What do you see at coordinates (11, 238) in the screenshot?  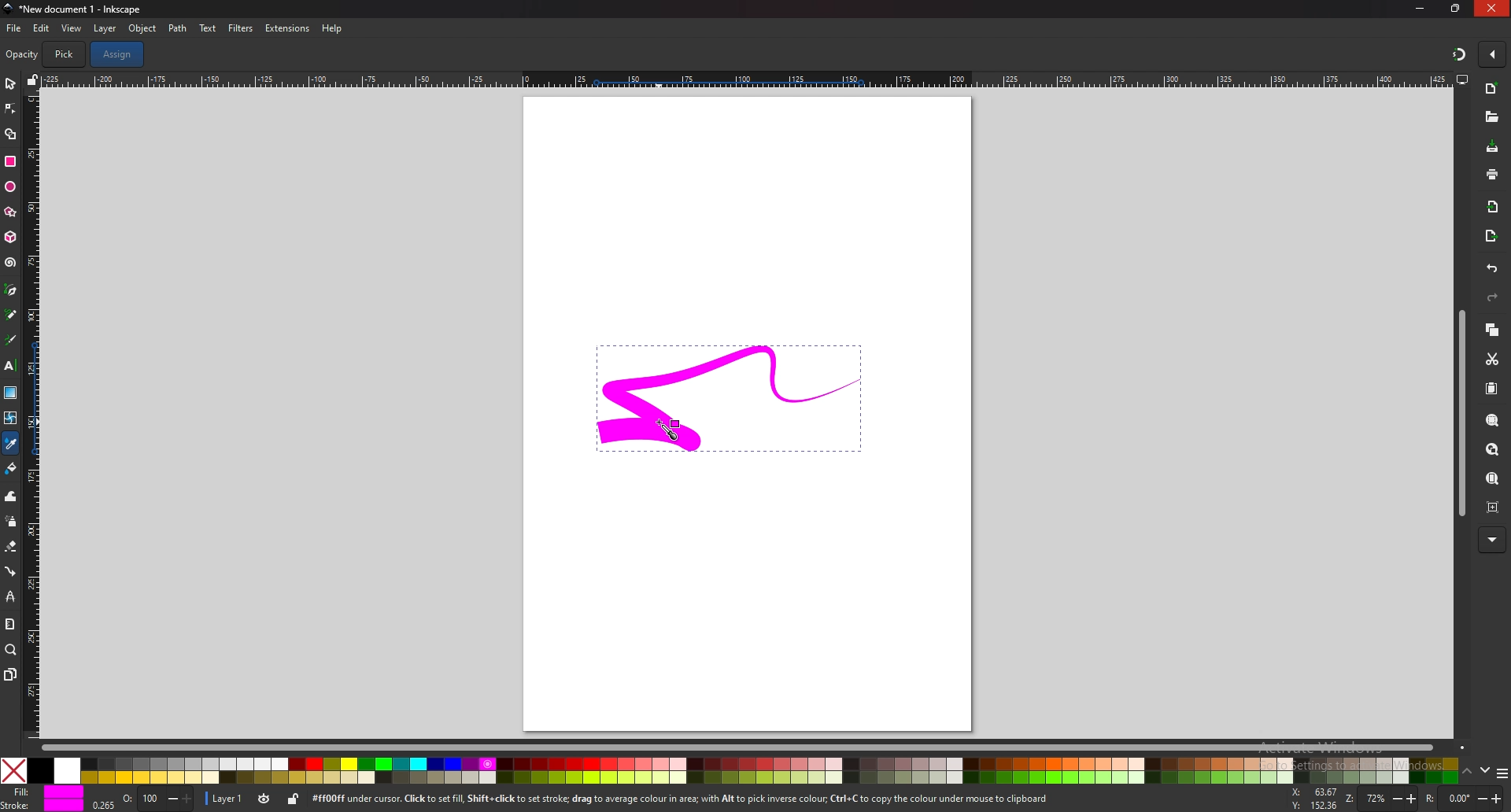 I see `3d box` at bounding box center [11, 238].